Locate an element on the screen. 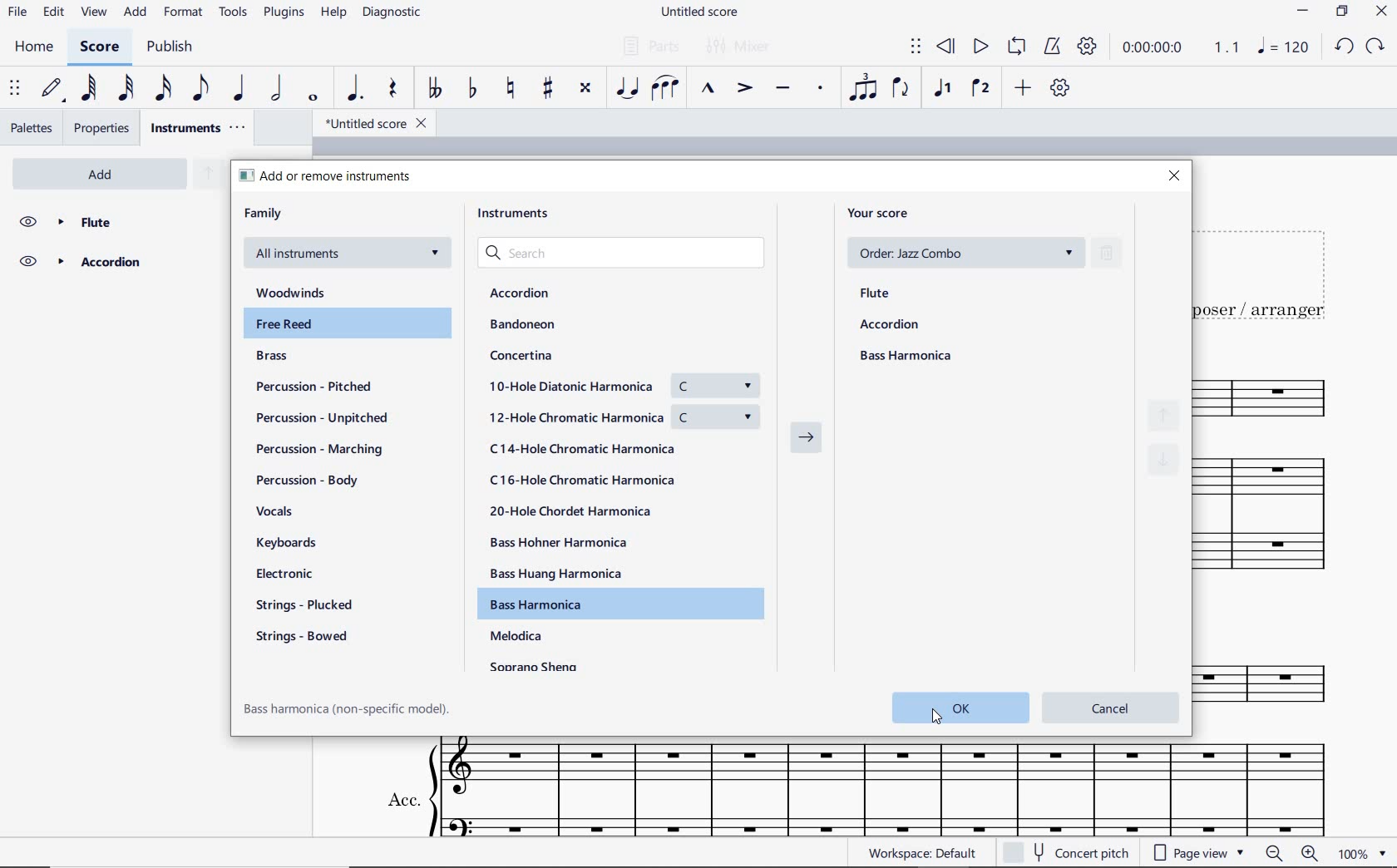 This screenshot has height=868, width=1397. voice1 is located at coordinates (942, 89).